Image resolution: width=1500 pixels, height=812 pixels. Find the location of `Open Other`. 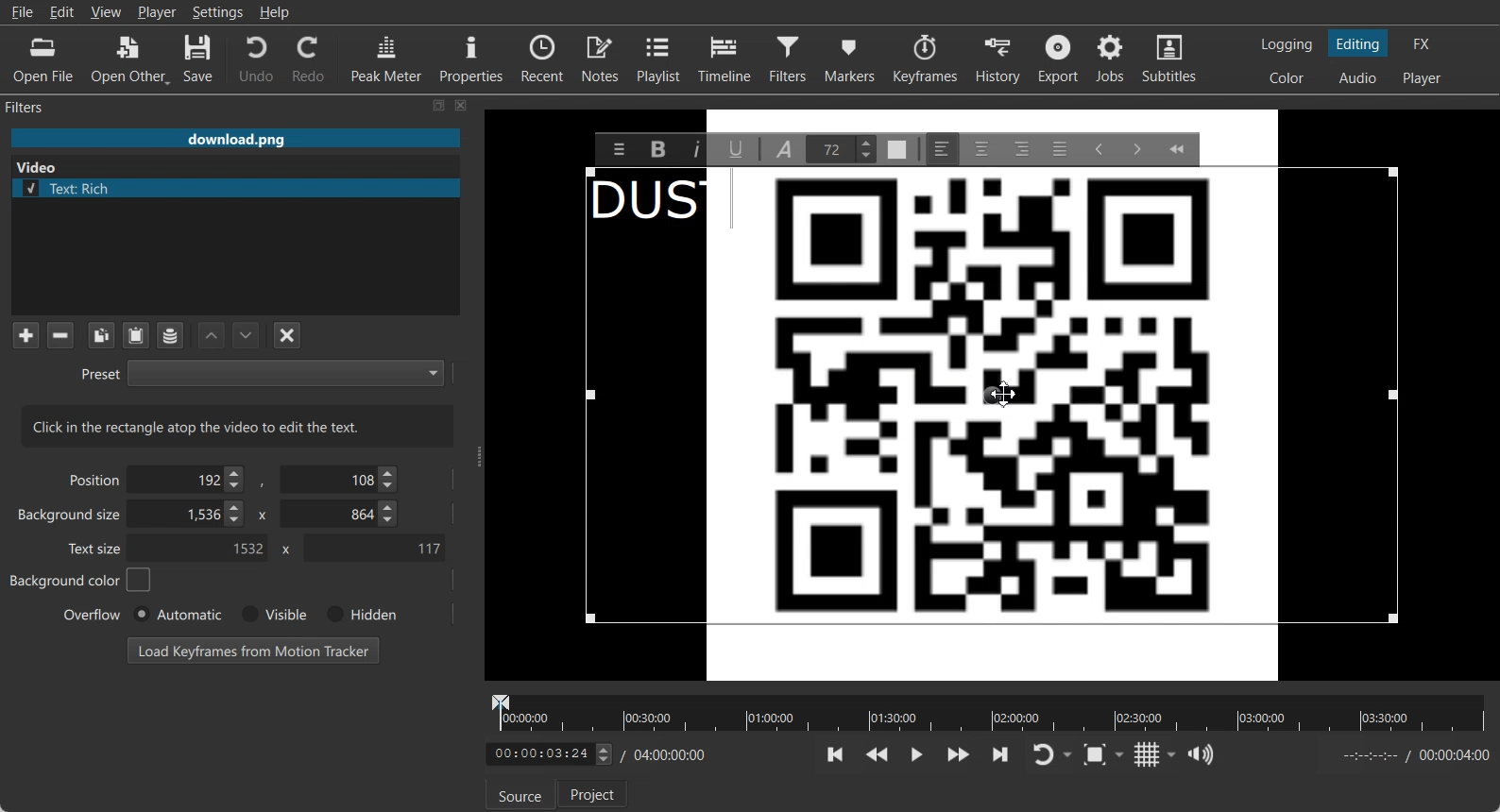

Open Other is located at coordinates (130, 59).